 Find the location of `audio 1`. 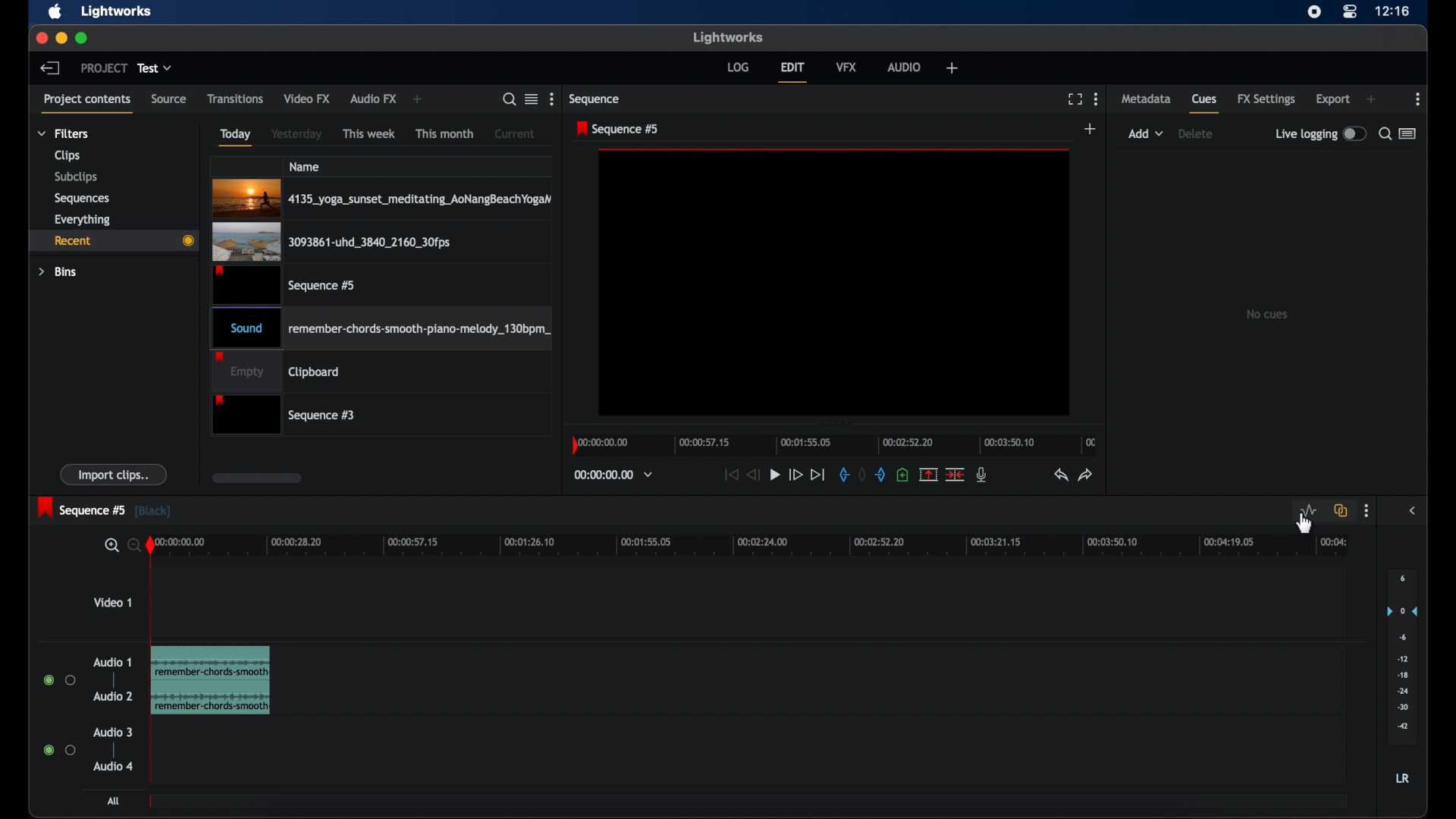

audio 1 is located at coordinates (113, 662).